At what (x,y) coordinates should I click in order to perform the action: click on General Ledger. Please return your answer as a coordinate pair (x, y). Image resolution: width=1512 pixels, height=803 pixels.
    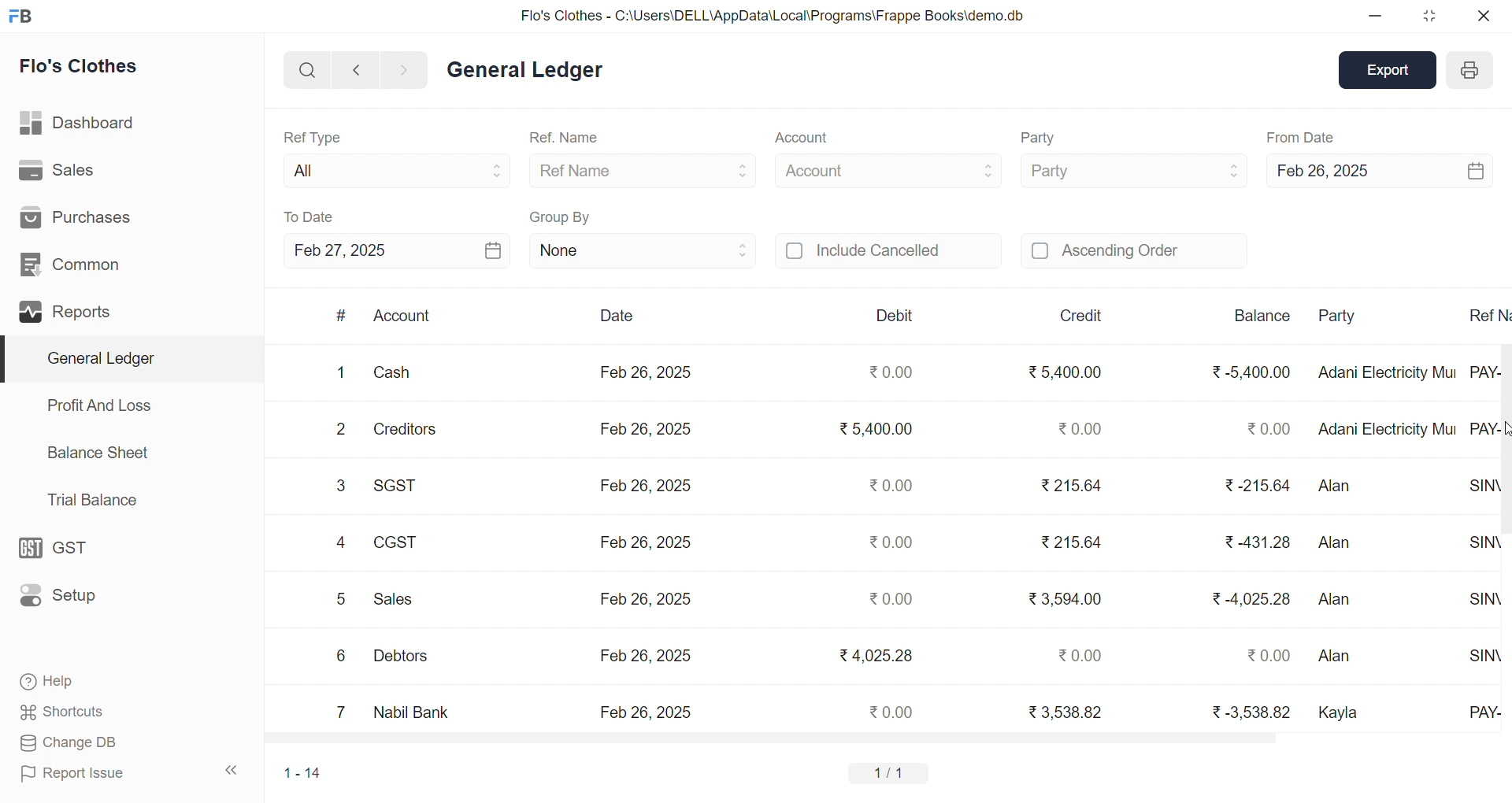
    Looking at the image, I should click on (127, 358).